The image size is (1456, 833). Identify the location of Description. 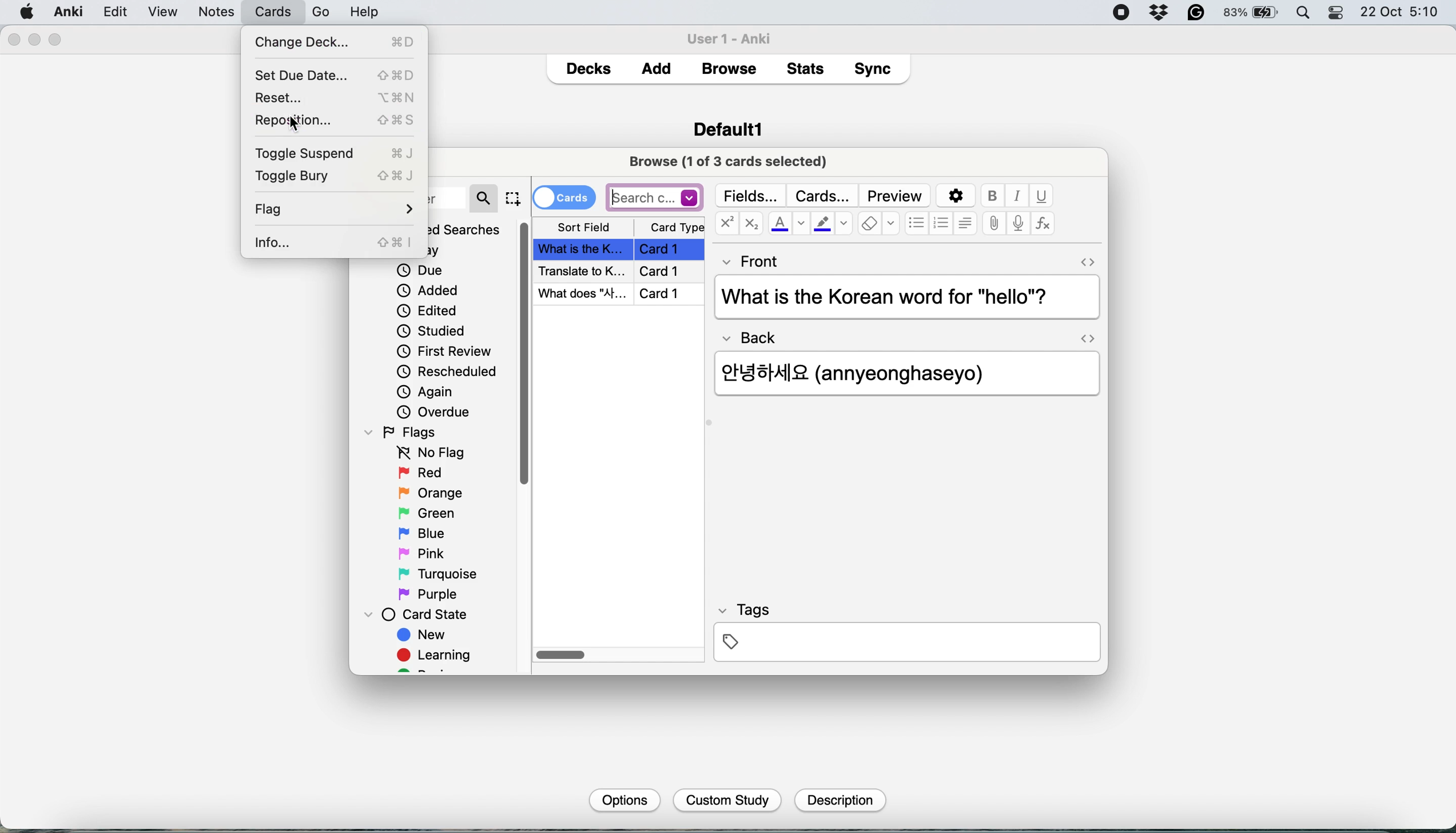
(838, 800).